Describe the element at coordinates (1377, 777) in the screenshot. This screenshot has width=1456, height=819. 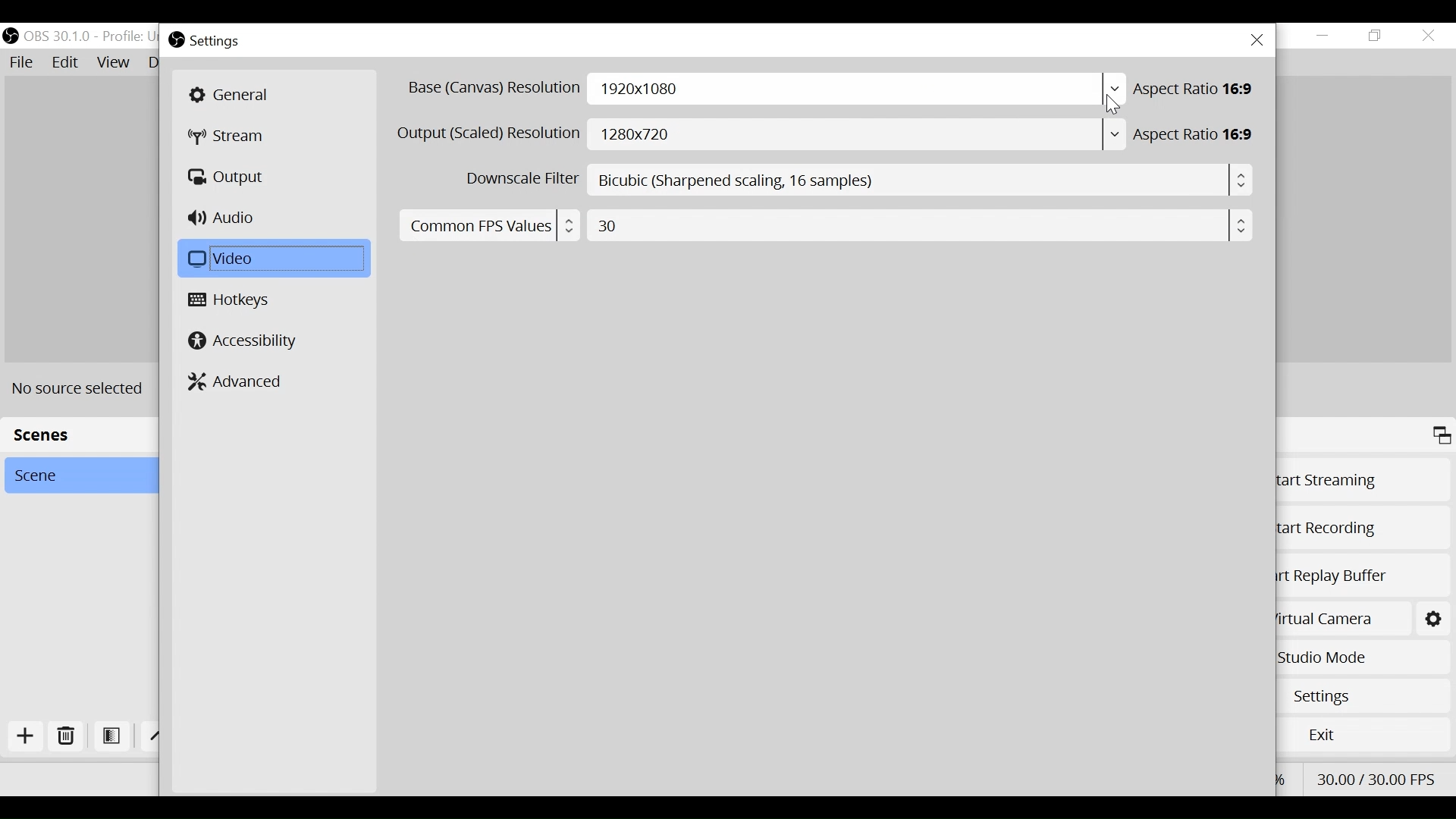
I see `30.00/ 30.00 FPS` at that location.